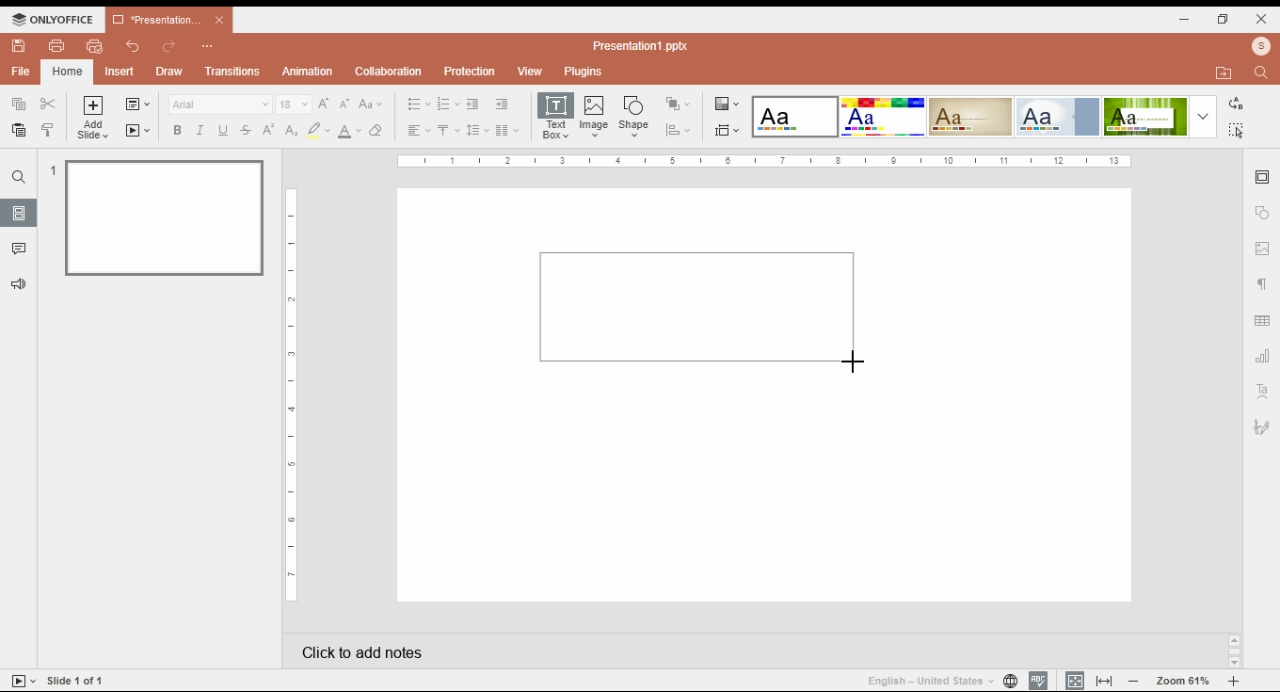 The height and width of the screenshot is (692, 1280). I want to click on scrollbar, so click(1235, 651).